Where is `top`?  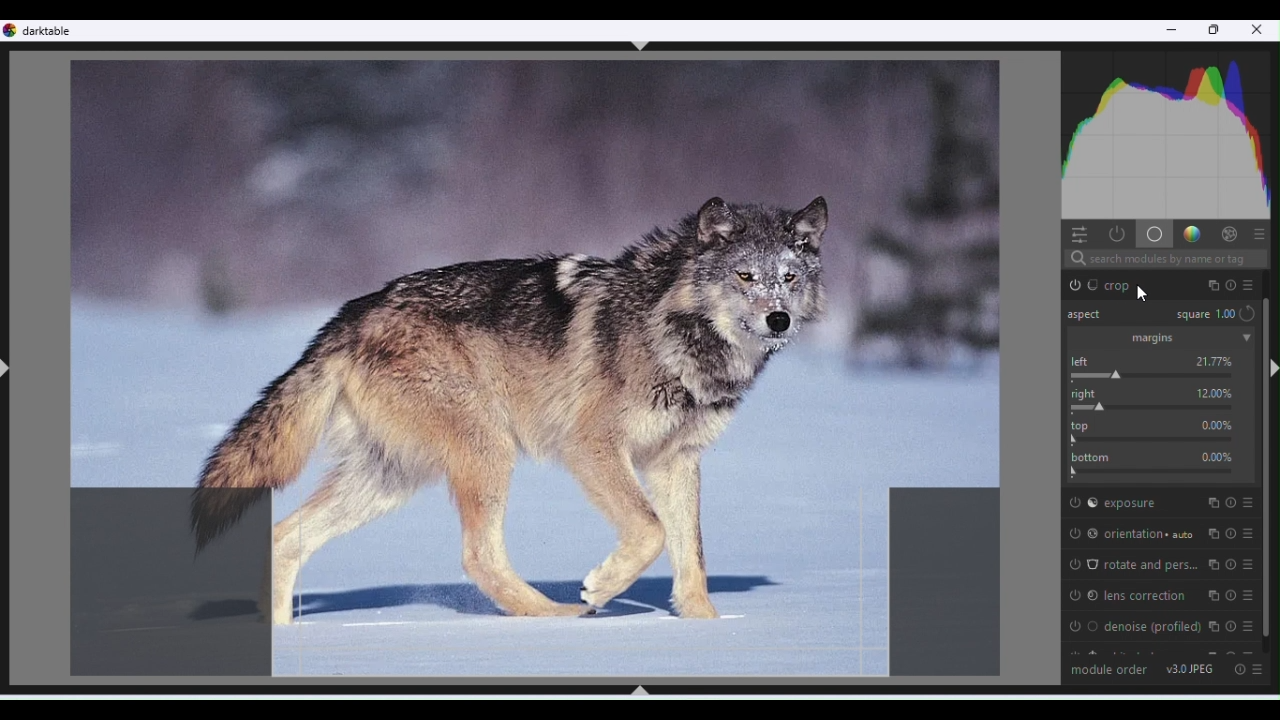 top is located at coordinates (1084, 424).